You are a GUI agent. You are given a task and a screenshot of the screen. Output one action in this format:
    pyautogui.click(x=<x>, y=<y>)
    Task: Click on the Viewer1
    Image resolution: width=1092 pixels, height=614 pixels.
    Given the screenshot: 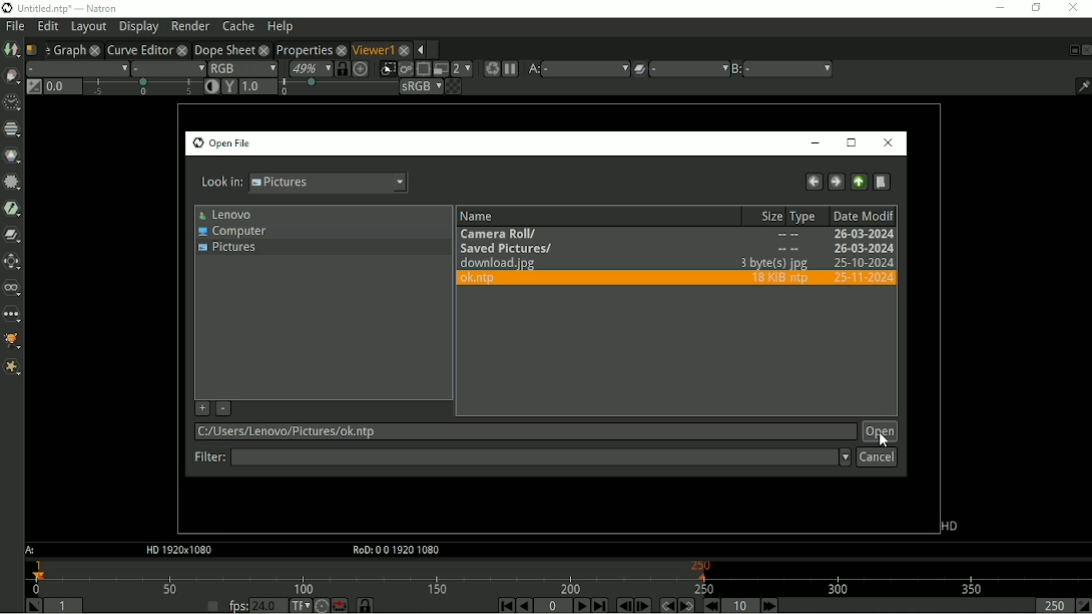 What is the action you would take?
    pyautogui.click(x=372, y=49)
    